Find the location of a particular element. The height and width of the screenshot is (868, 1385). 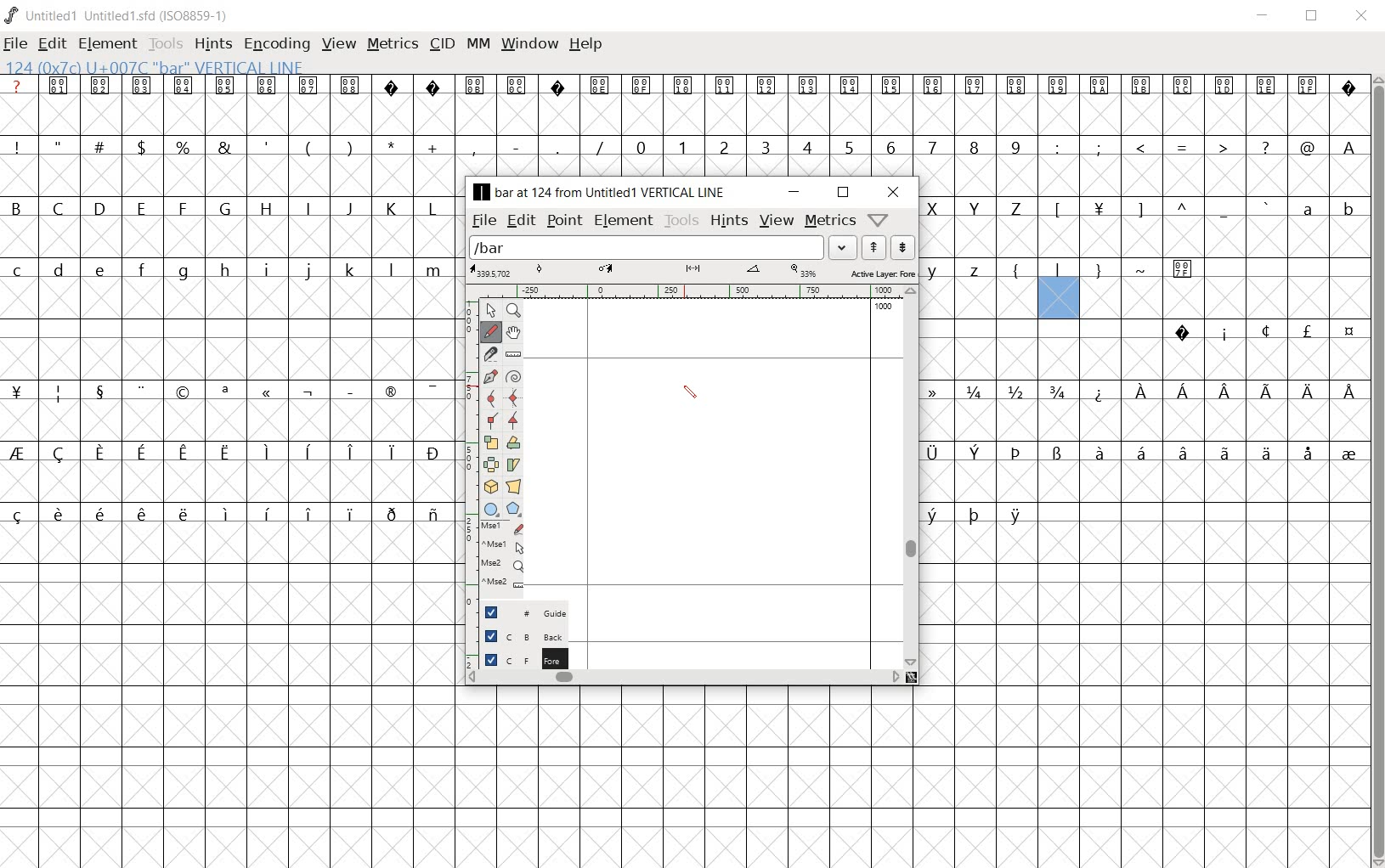

scale is located at coordinates (692, 270).